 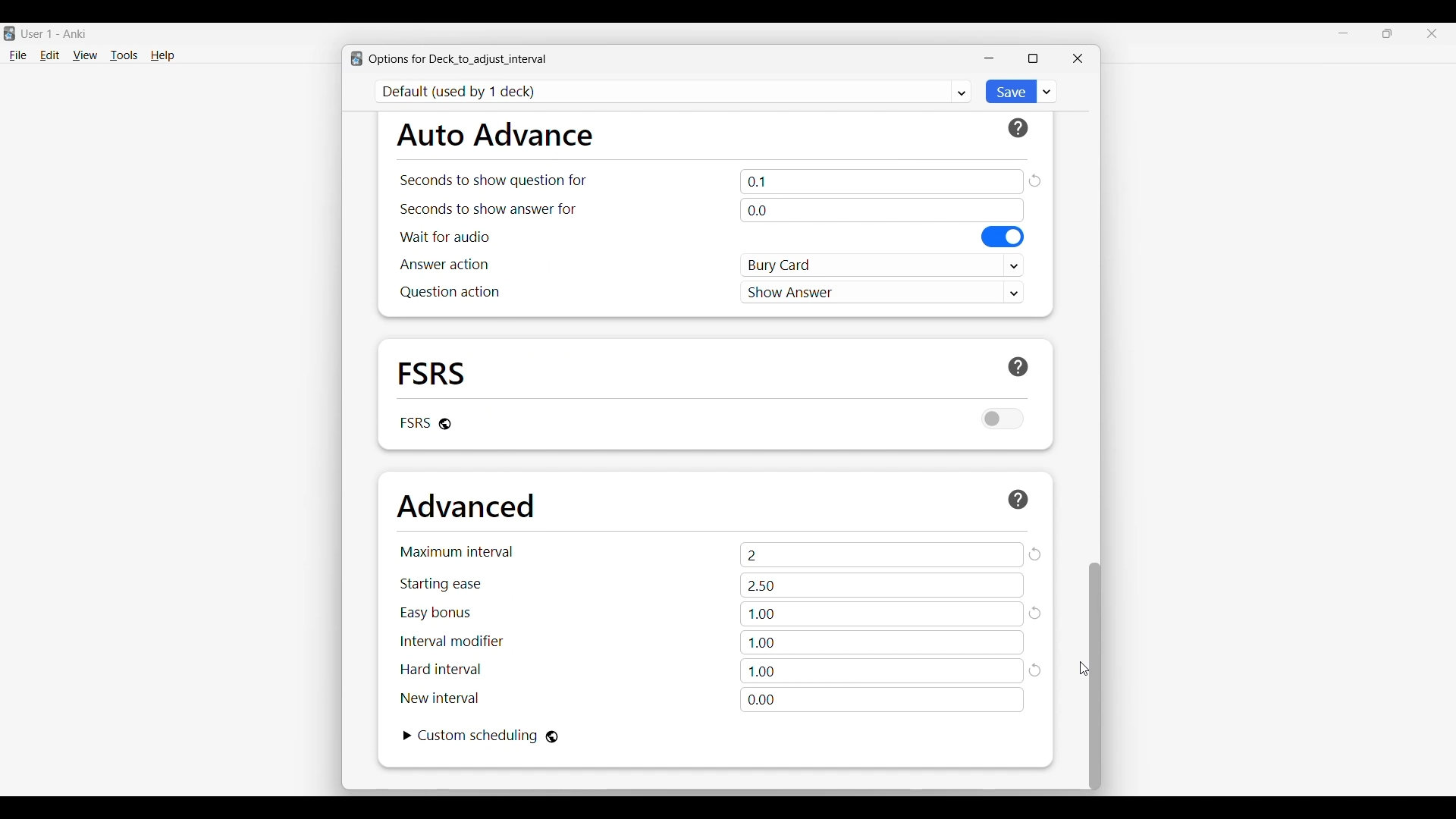 I want to click on Minimize, so click(x=1344, y=33).